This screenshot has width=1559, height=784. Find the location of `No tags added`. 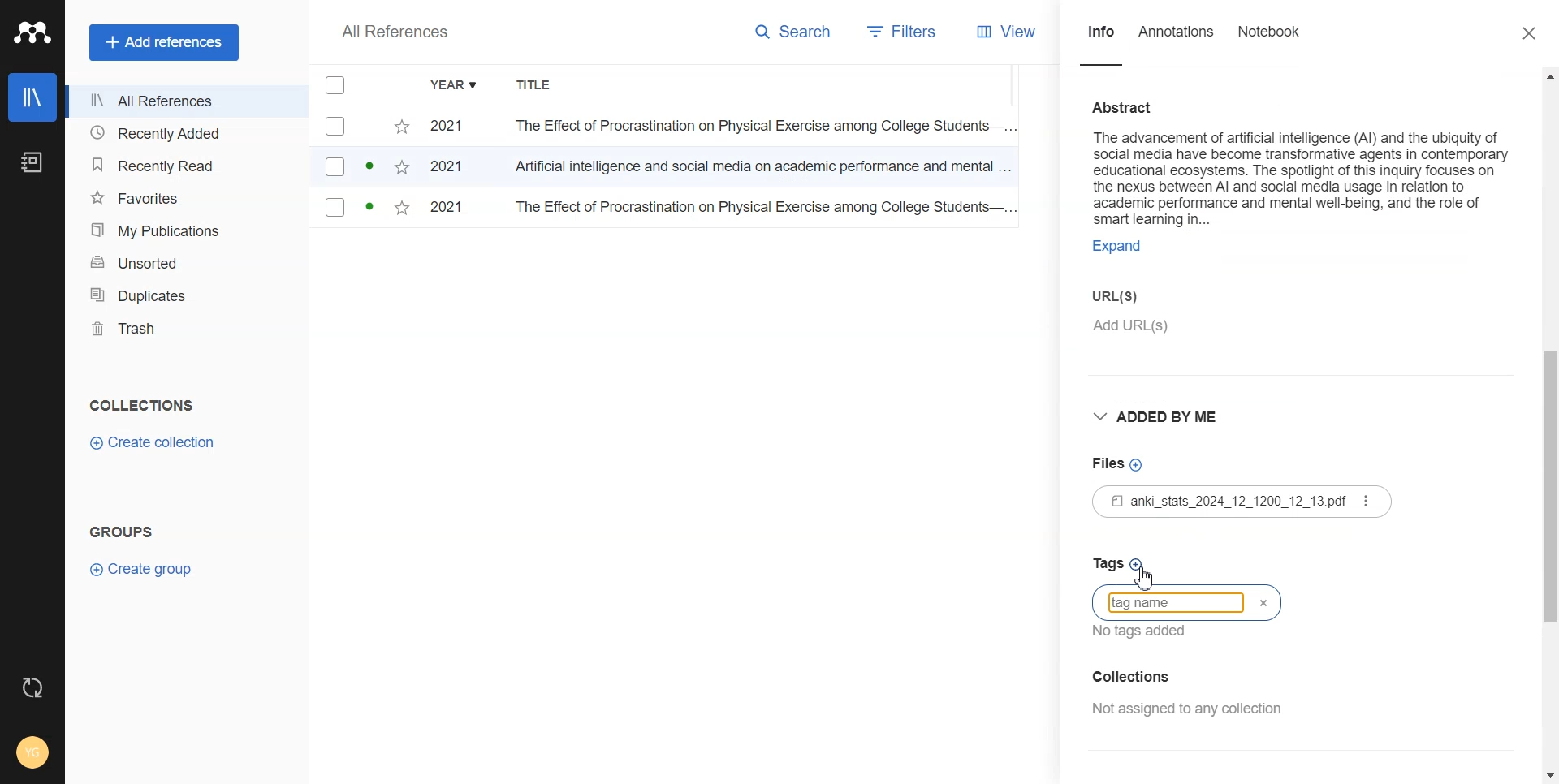

No tags added is located at coordinates (1149, 631).